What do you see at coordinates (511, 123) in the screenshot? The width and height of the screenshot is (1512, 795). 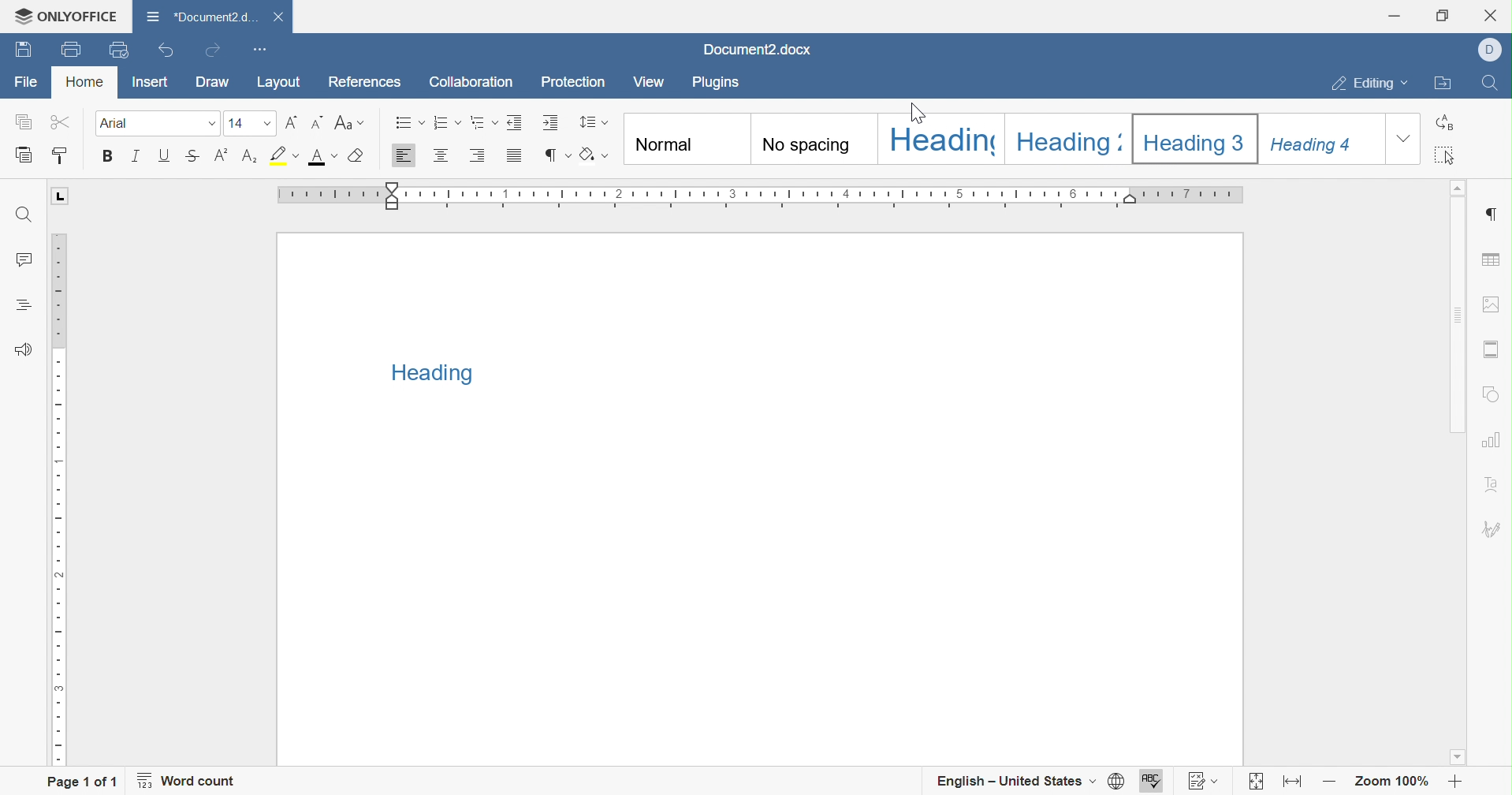 I see `Decrease Indent` at bounding box center [511, 123].